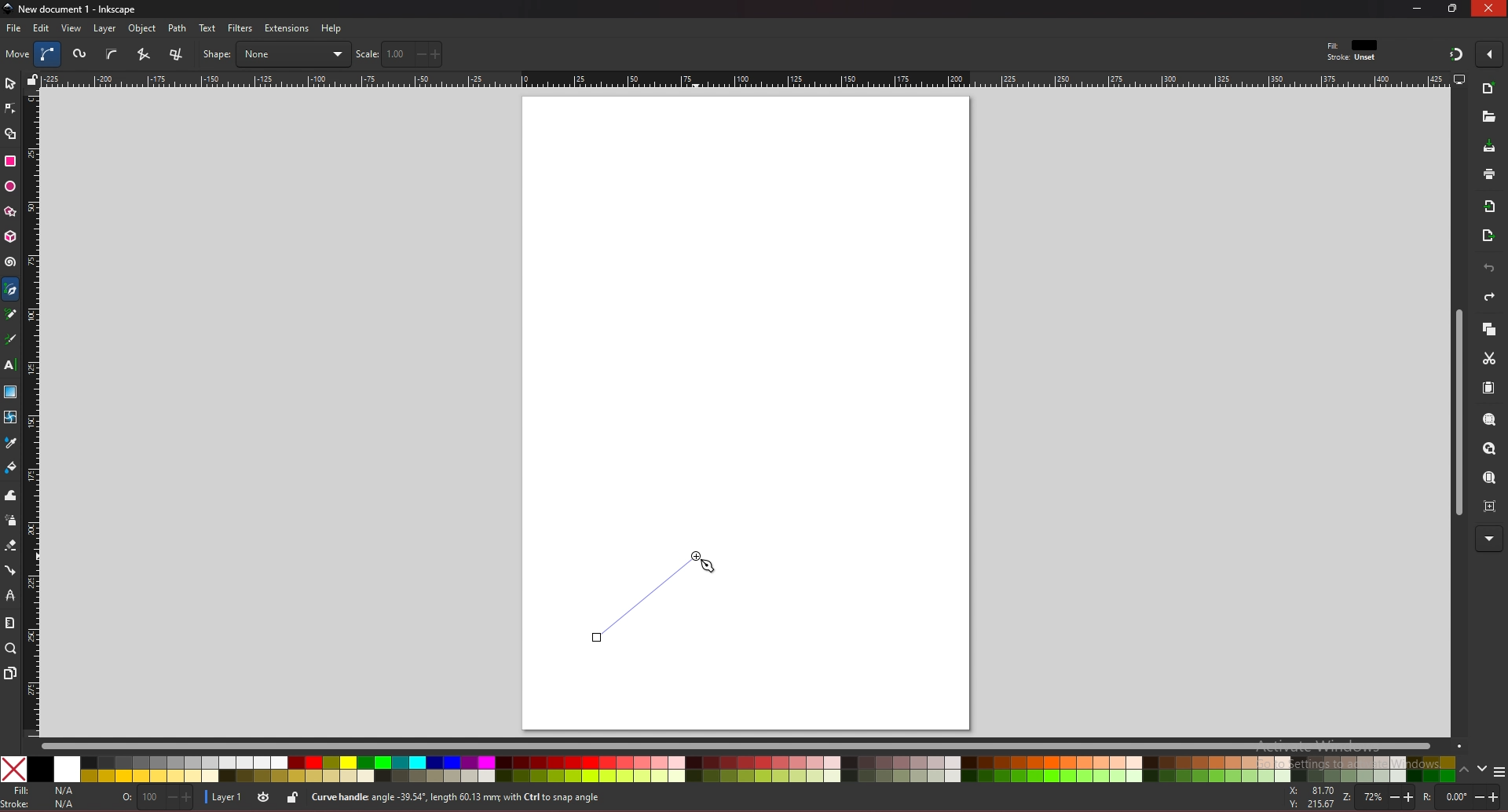  I want to click on scroll bar, so click(1456, 413).